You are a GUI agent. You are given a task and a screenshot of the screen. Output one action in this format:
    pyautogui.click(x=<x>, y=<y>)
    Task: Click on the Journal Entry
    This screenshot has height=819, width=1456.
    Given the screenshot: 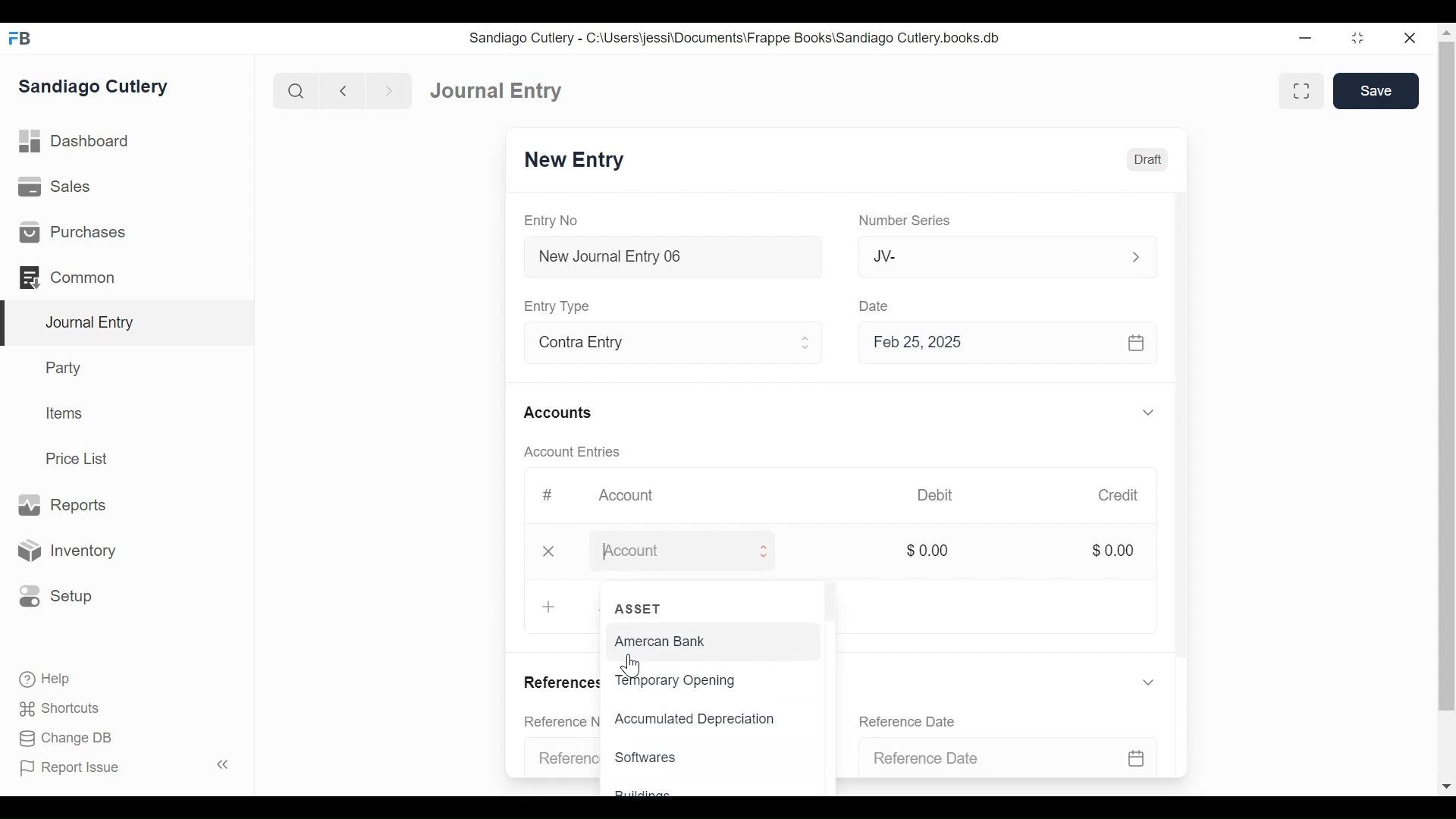 What is the action you would take?
    pyautogui.click(x=497, y=89)
    